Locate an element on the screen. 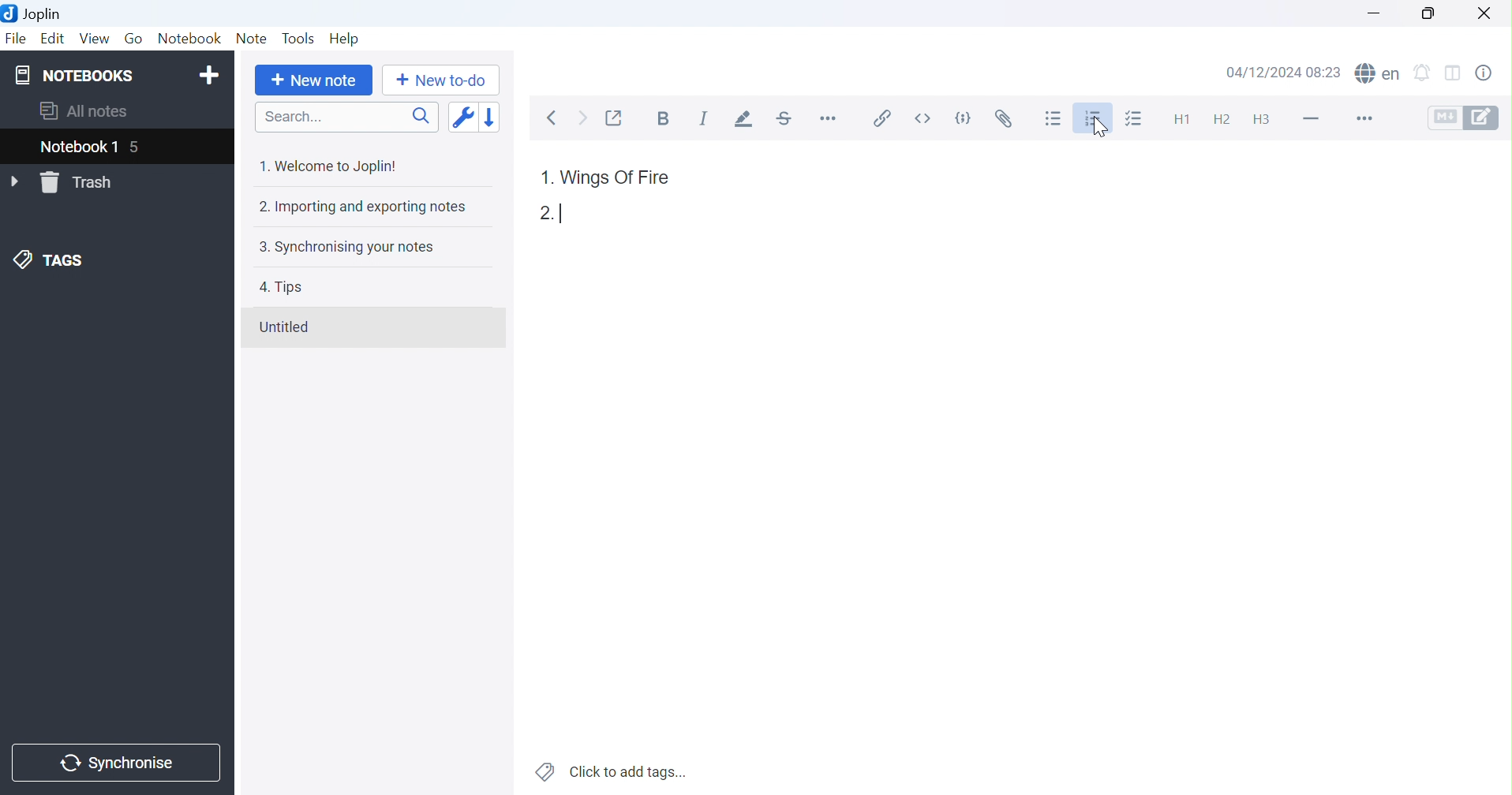 This screenshot has width=1512, height=795. Highlight is located at coordinates (745, 120).